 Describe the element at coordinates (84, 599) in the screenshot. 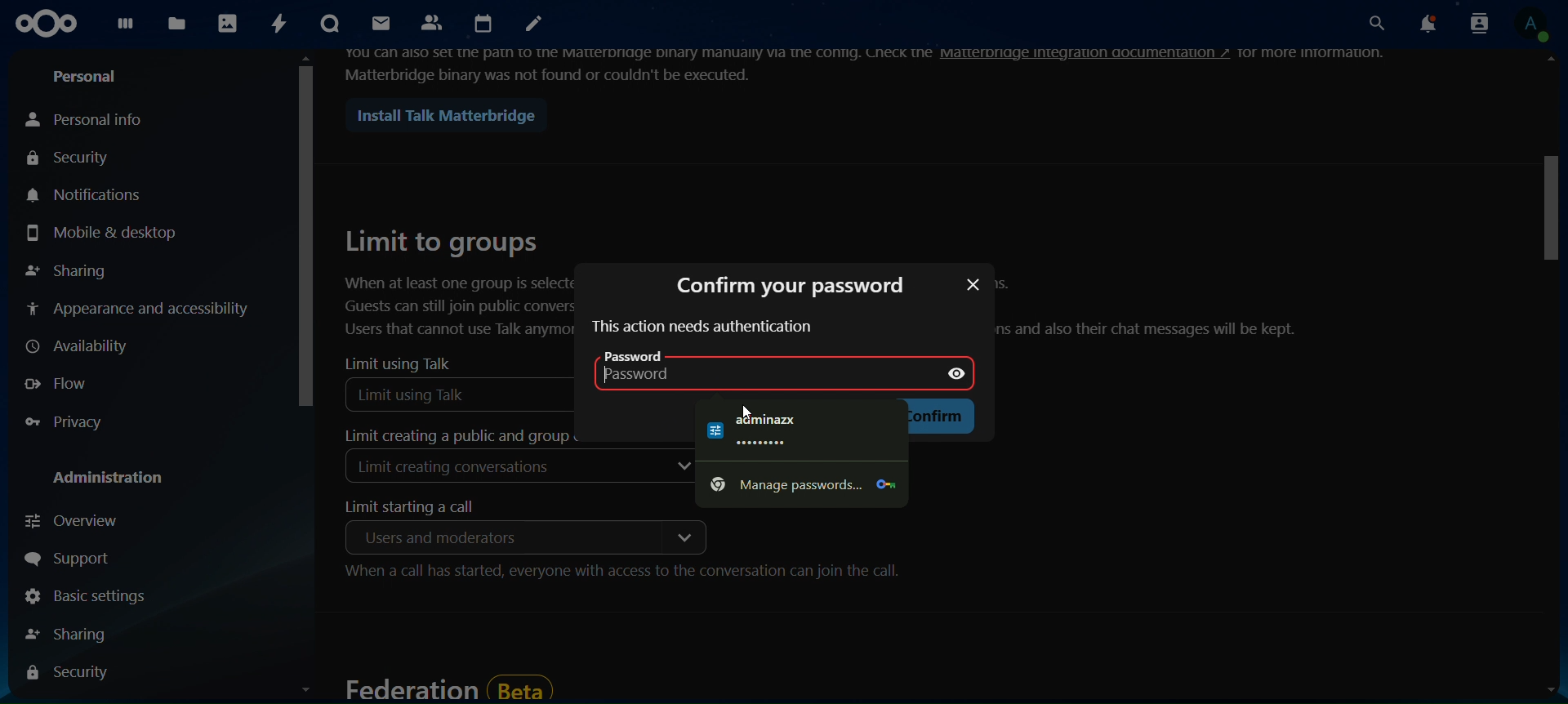

I see `basic settings` at that location.